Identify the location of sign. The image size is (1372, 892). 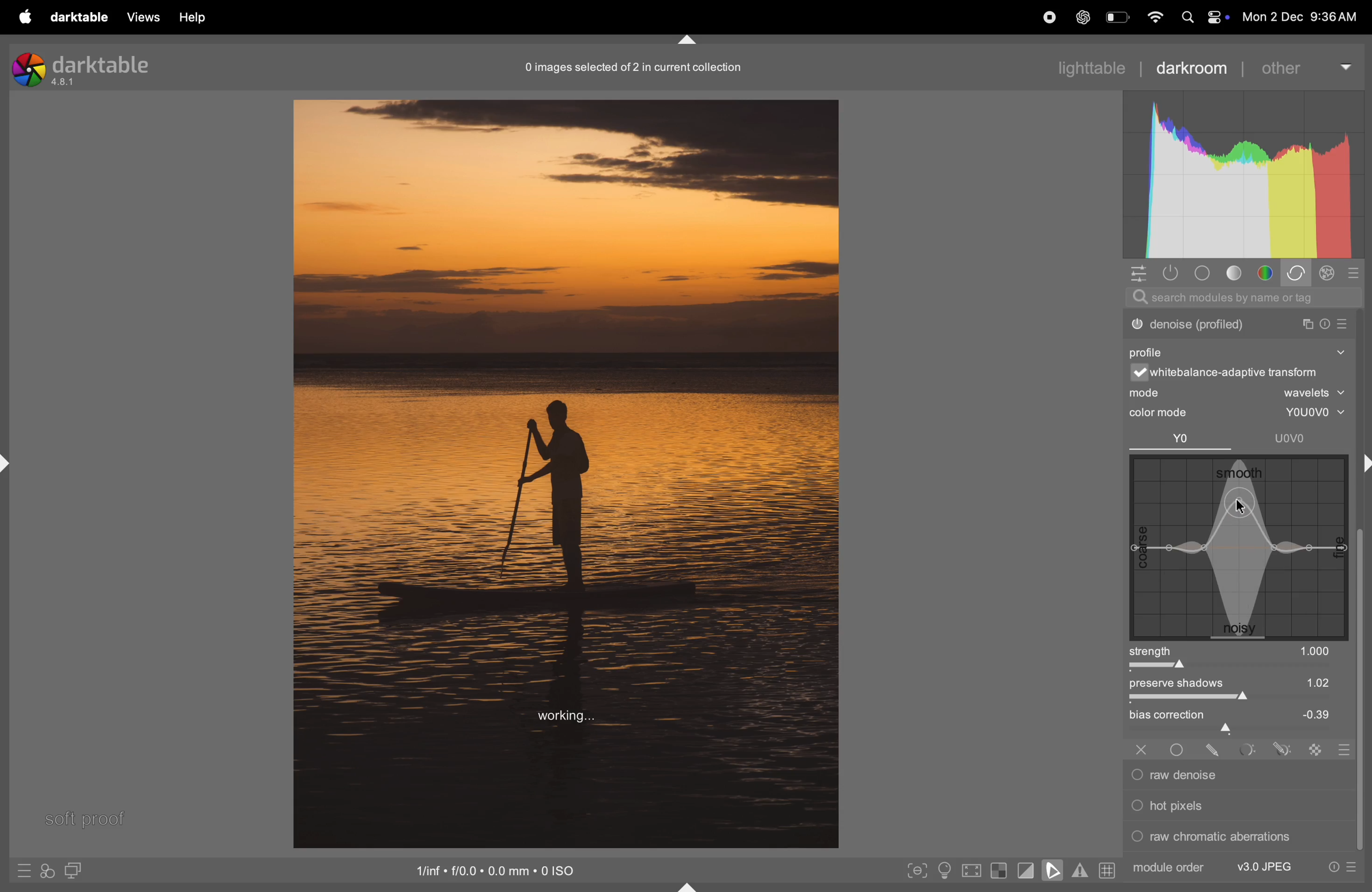
(25, 874).